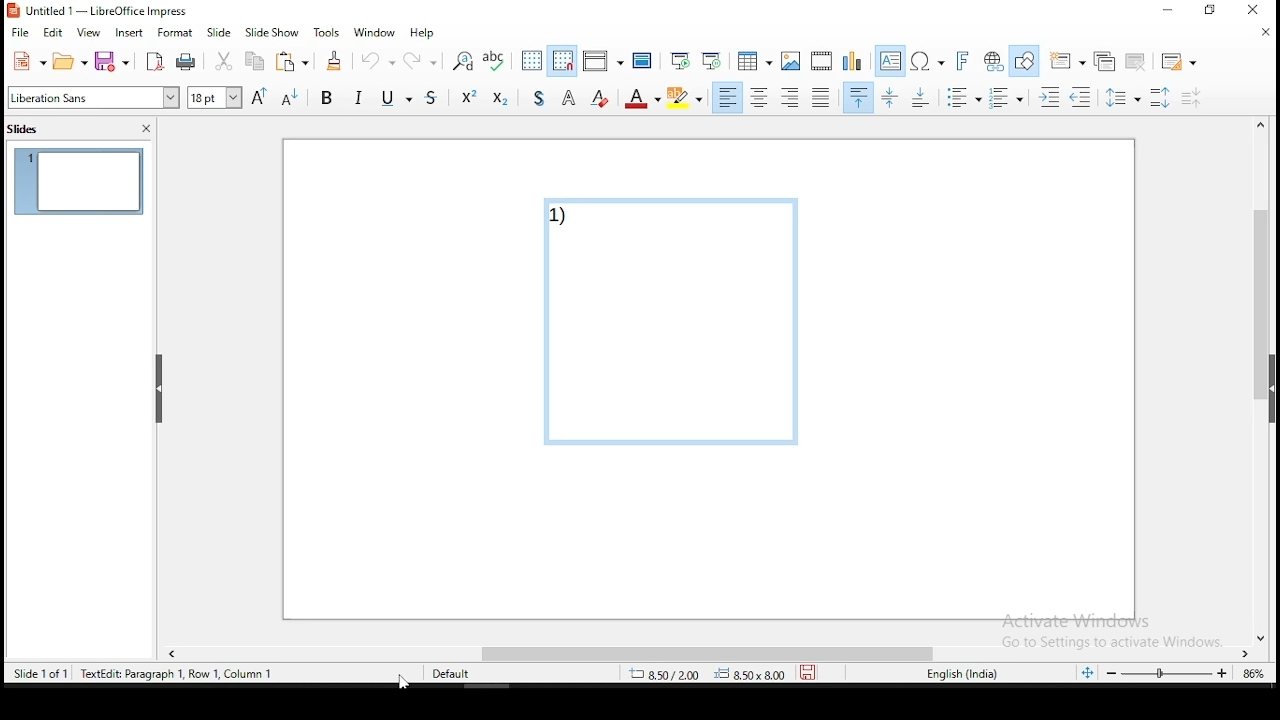 The width and height of the screenshot is (1280, 720). I want to click on insert chart, so click(852, 60).